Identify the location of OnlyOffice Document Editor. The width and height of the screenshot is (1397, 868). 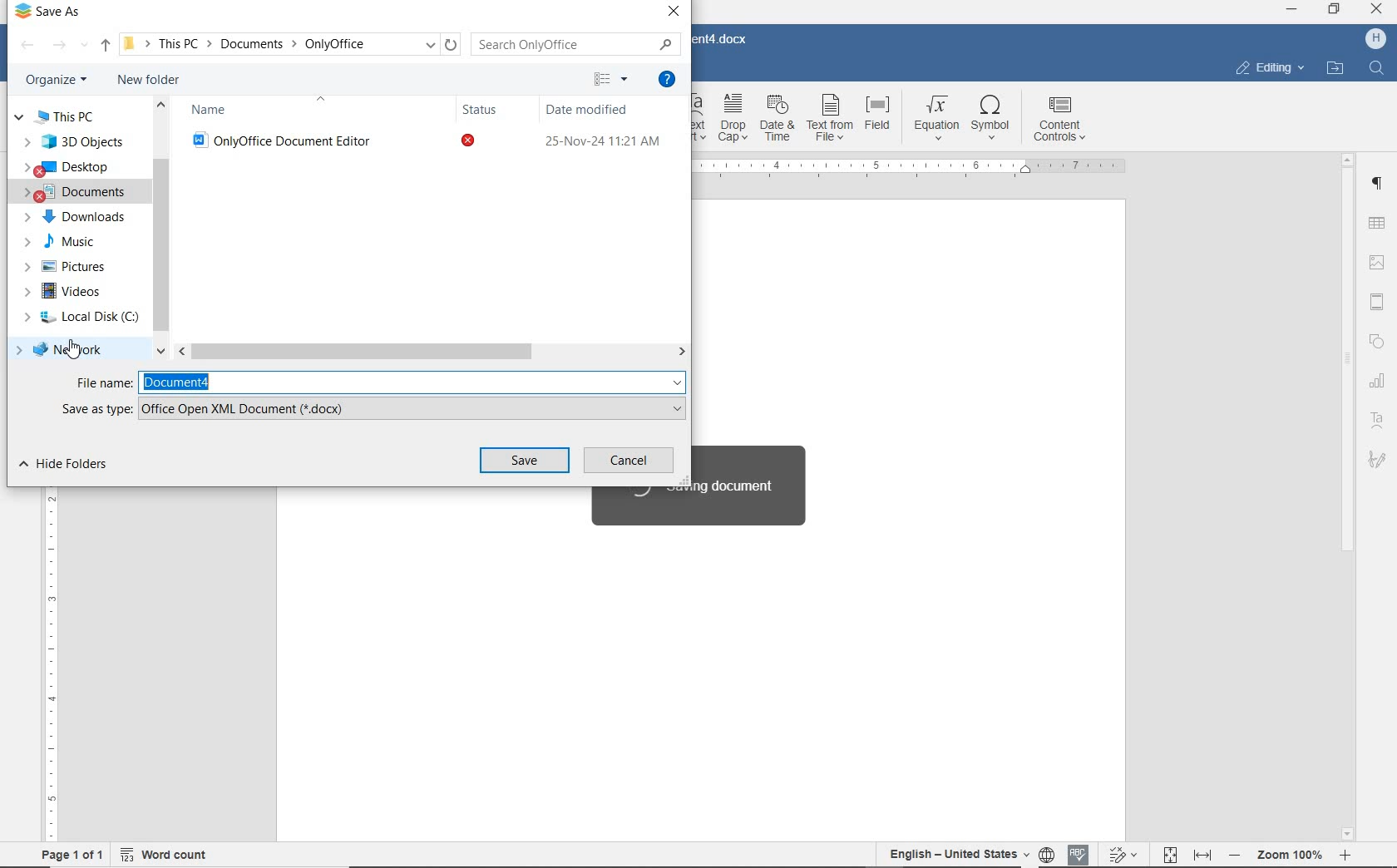
(288, 144).